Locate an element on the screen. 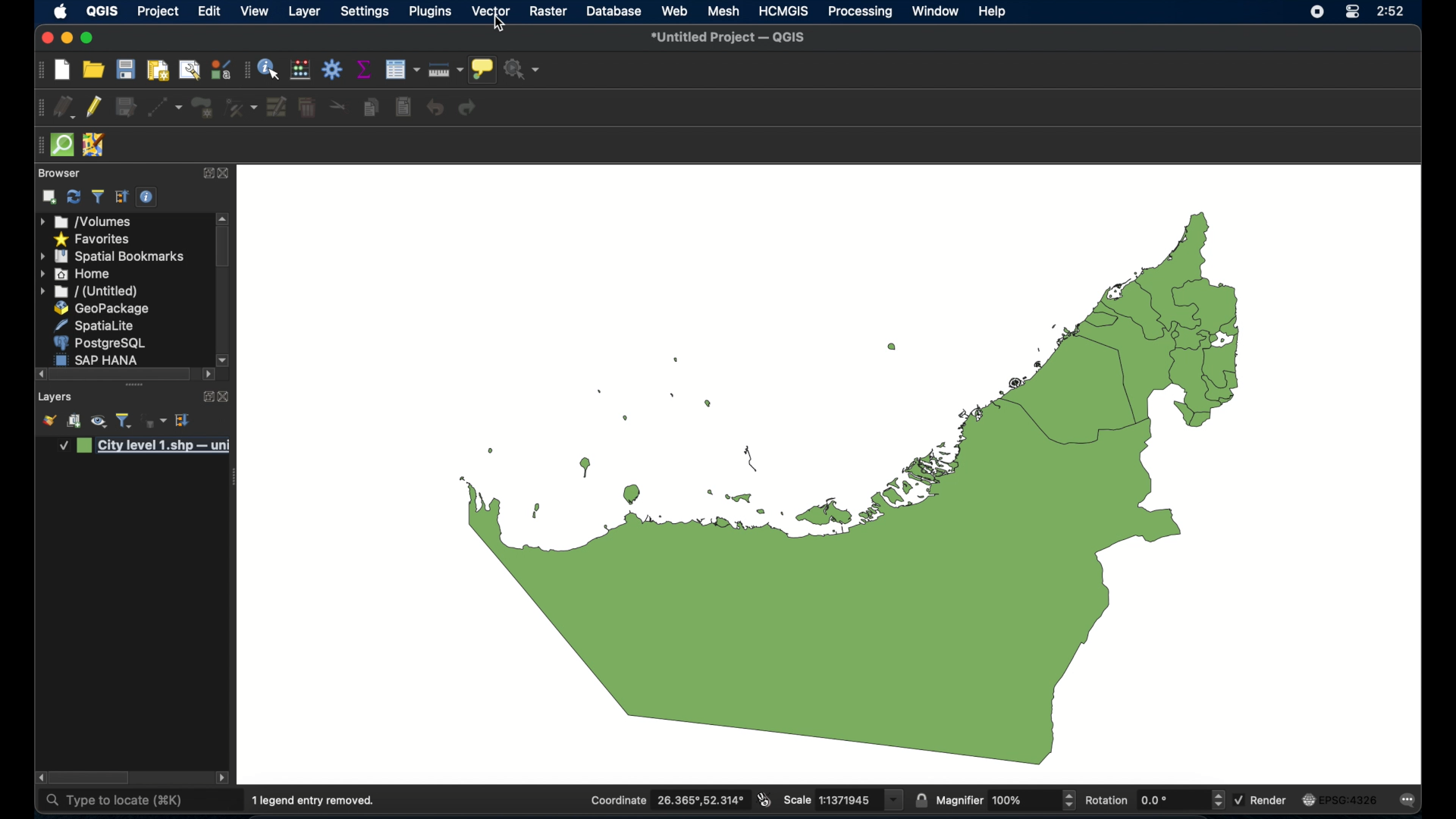 The height and width of the screenshot is (819, 1456). HCMGIS is located at coordinates (784, 11).